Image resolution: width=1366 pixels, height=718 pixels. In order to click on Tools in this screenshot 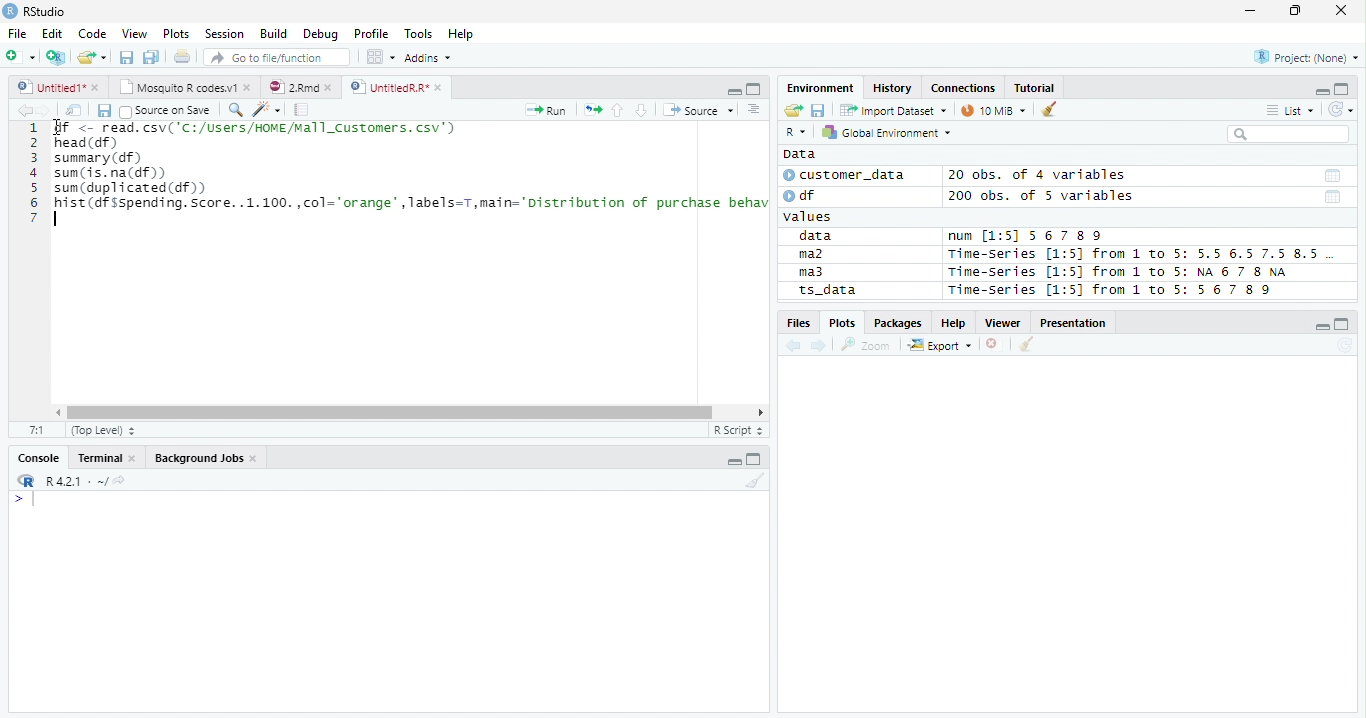, I will do `click(422, 32)`.